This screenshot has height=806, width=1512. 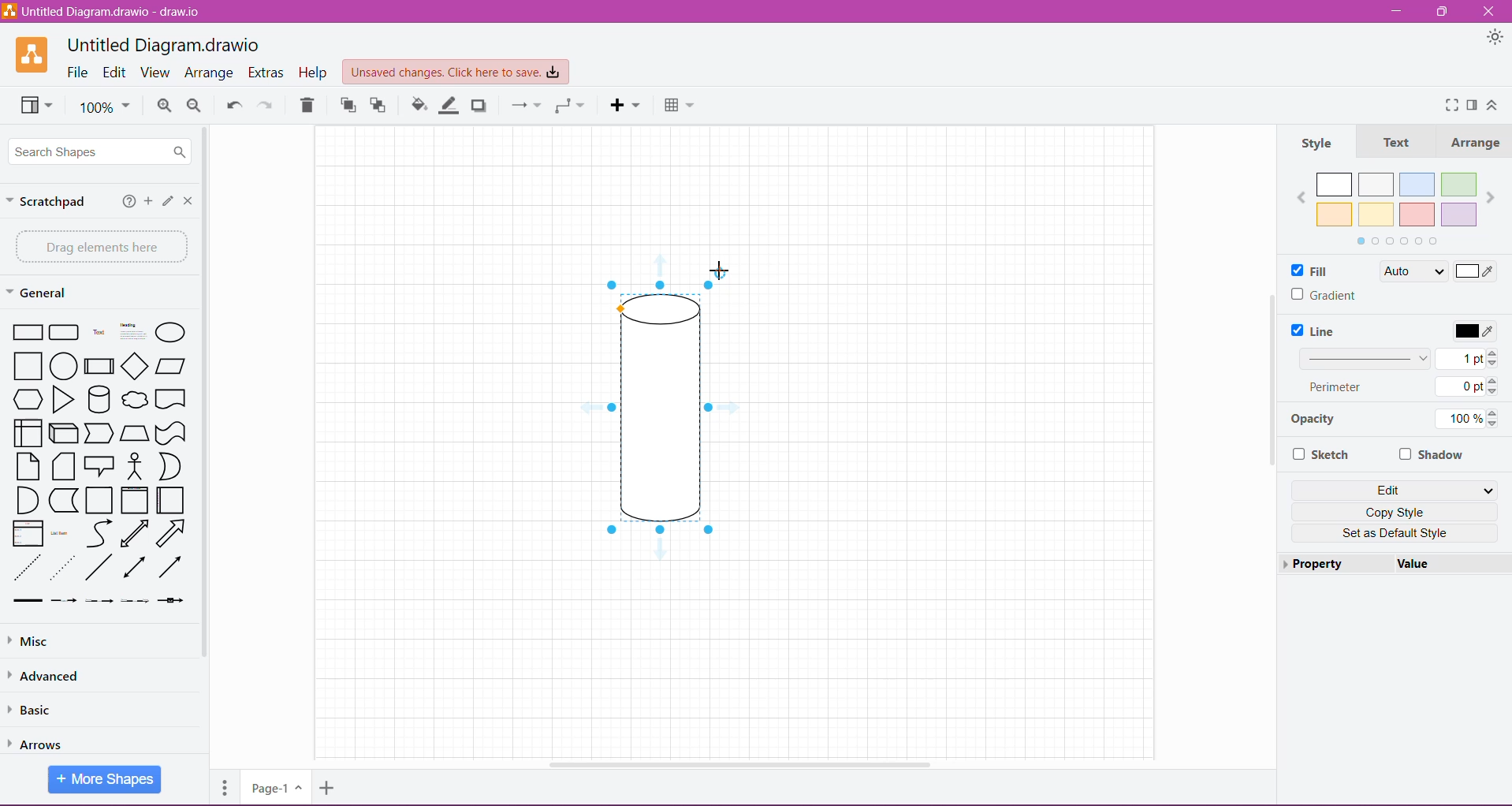 I want to click on Line - click to enable/disable, so click(x=1319, y=330).